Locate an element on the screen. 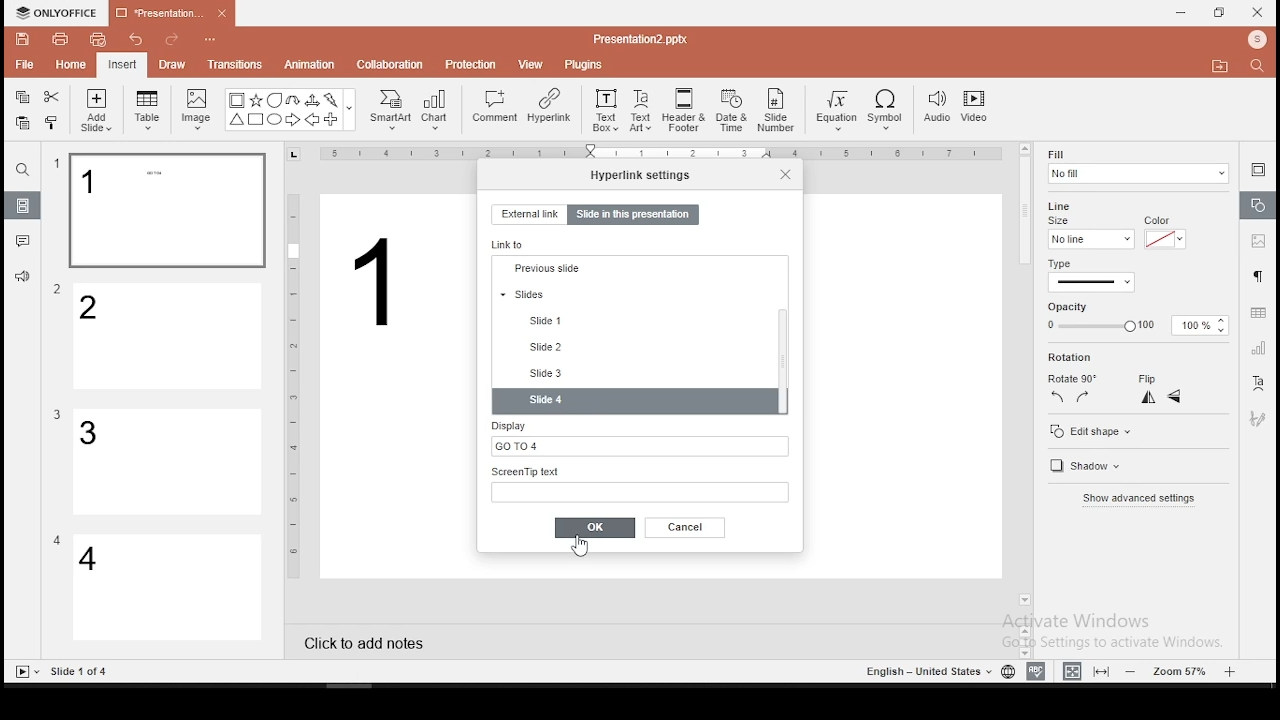 The image size is (1280, 720). protection is located at coordinates (471, 63).